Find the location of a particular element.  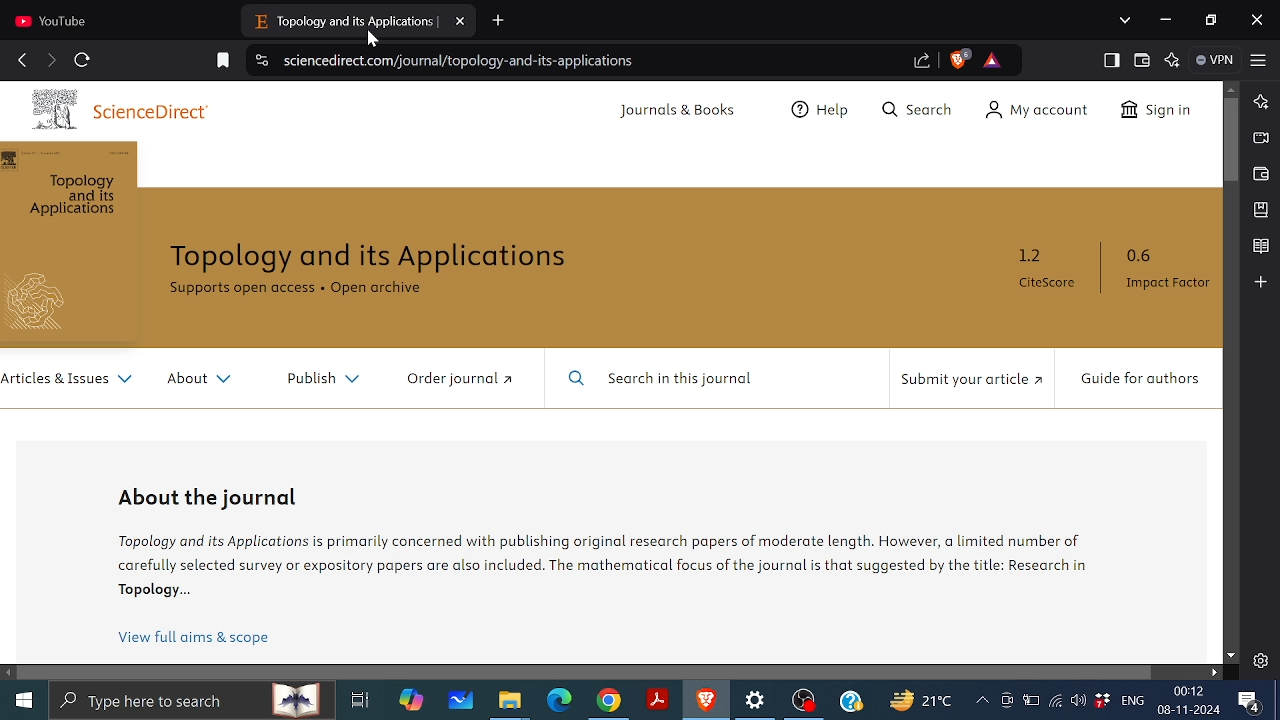

Settings is located at coordinates (1260, 660).